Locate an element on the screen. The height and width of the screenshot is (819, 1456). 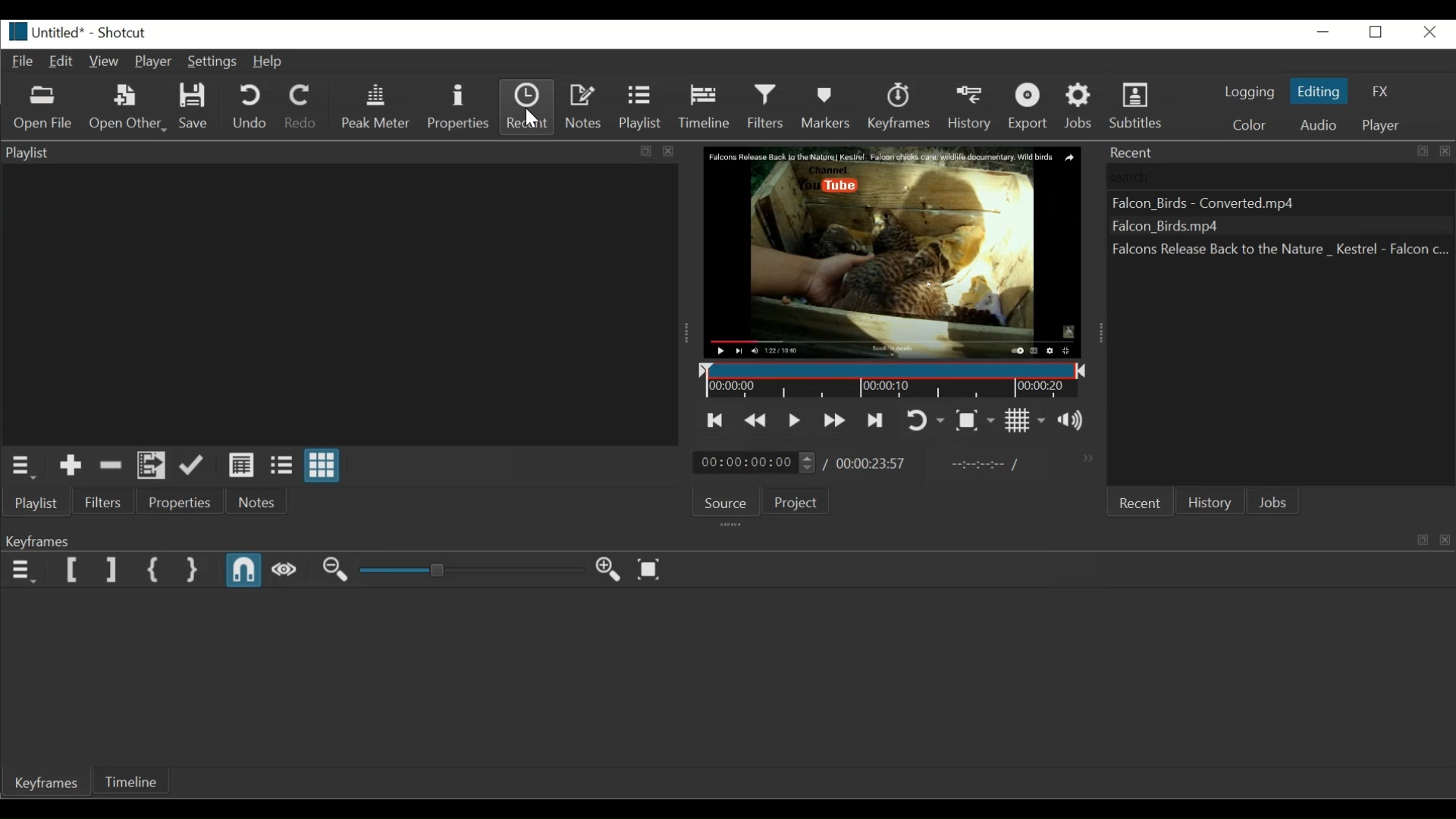
/00:00:23:57(Total Duration) is located at coordinates (866, 463).